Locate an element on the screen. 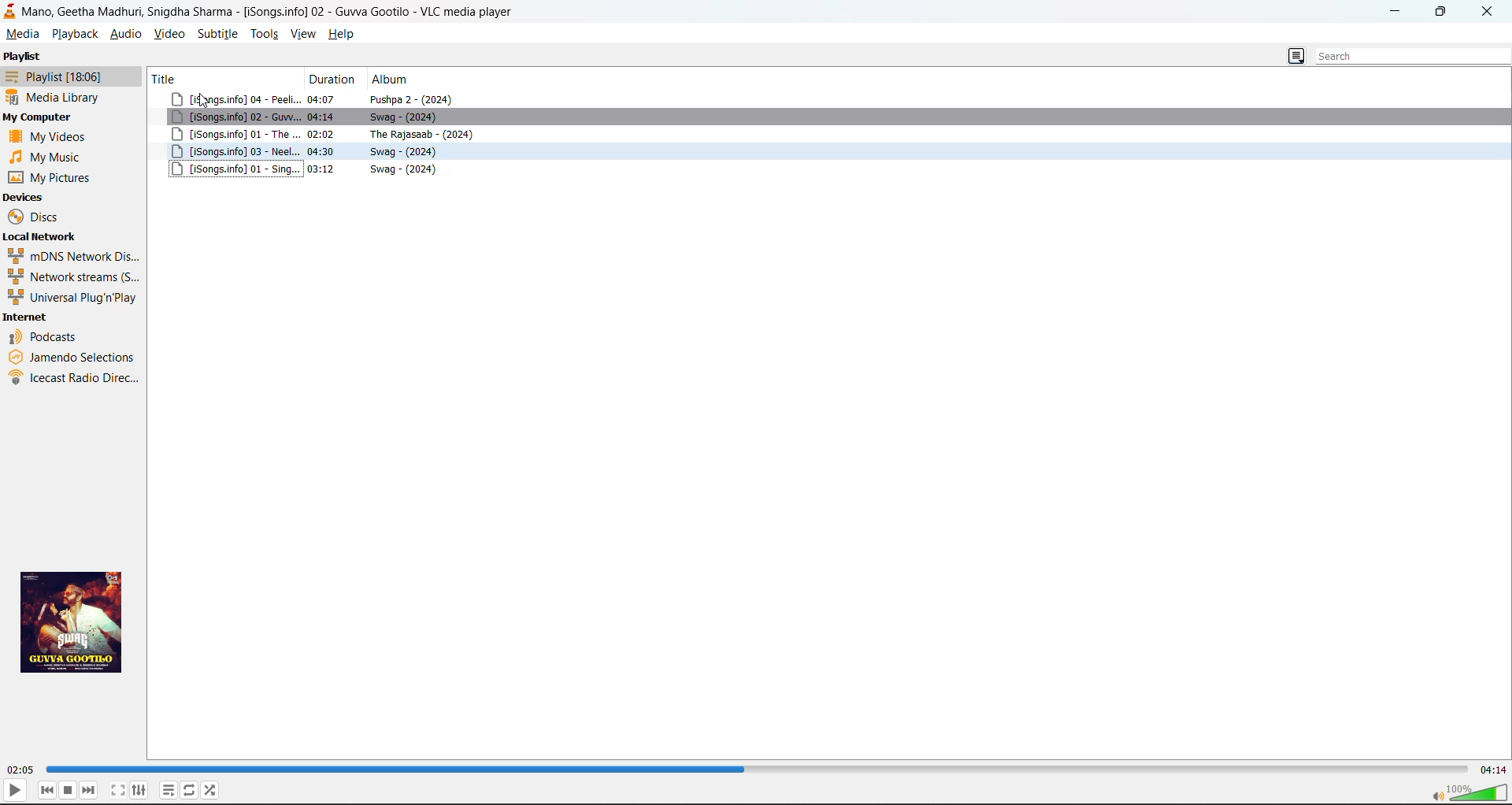  discs is located at coordinates (37, 217).